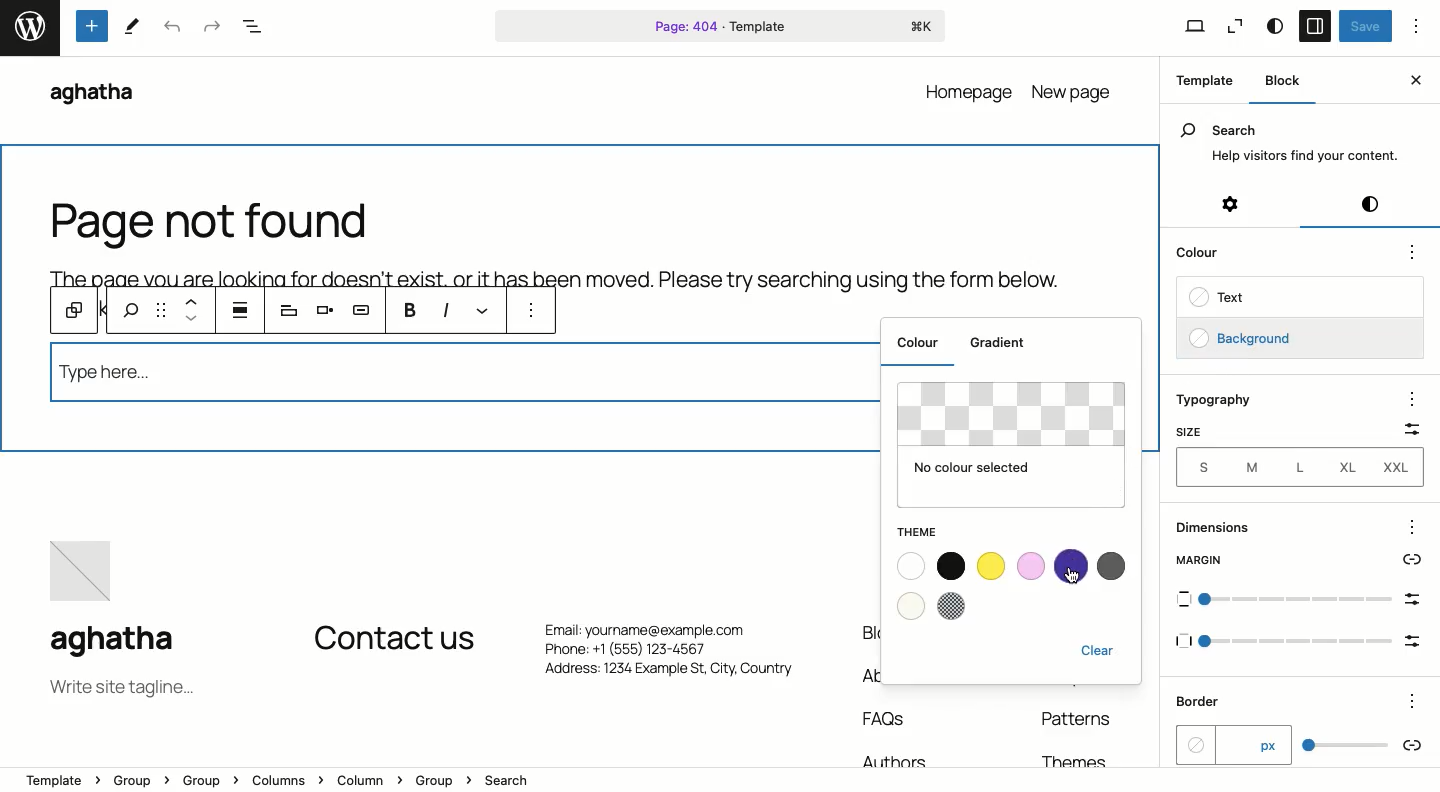 The image size is (1440, 792). I want to click on Colours, so click(1009, 585).